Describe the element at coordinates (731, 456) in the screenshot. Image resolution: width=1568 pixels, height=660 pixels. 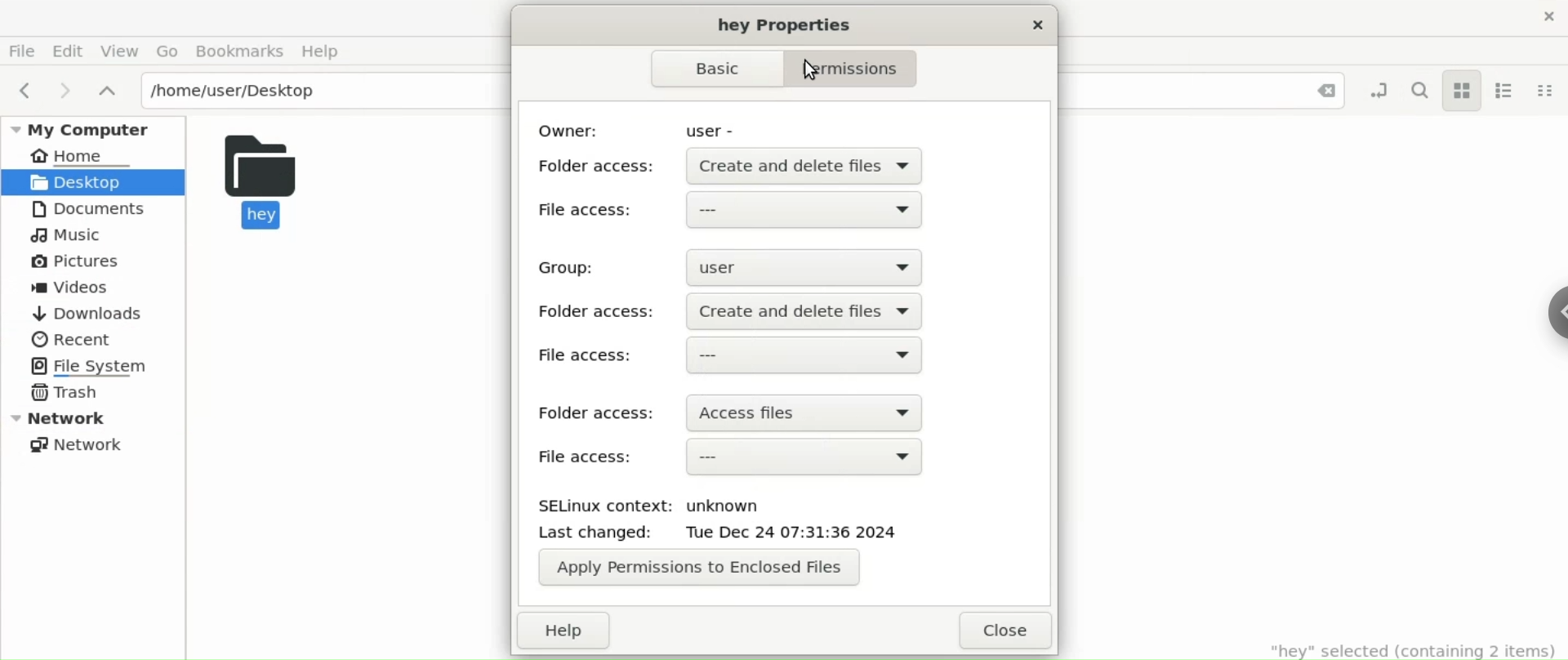
I see `file access` at that location.